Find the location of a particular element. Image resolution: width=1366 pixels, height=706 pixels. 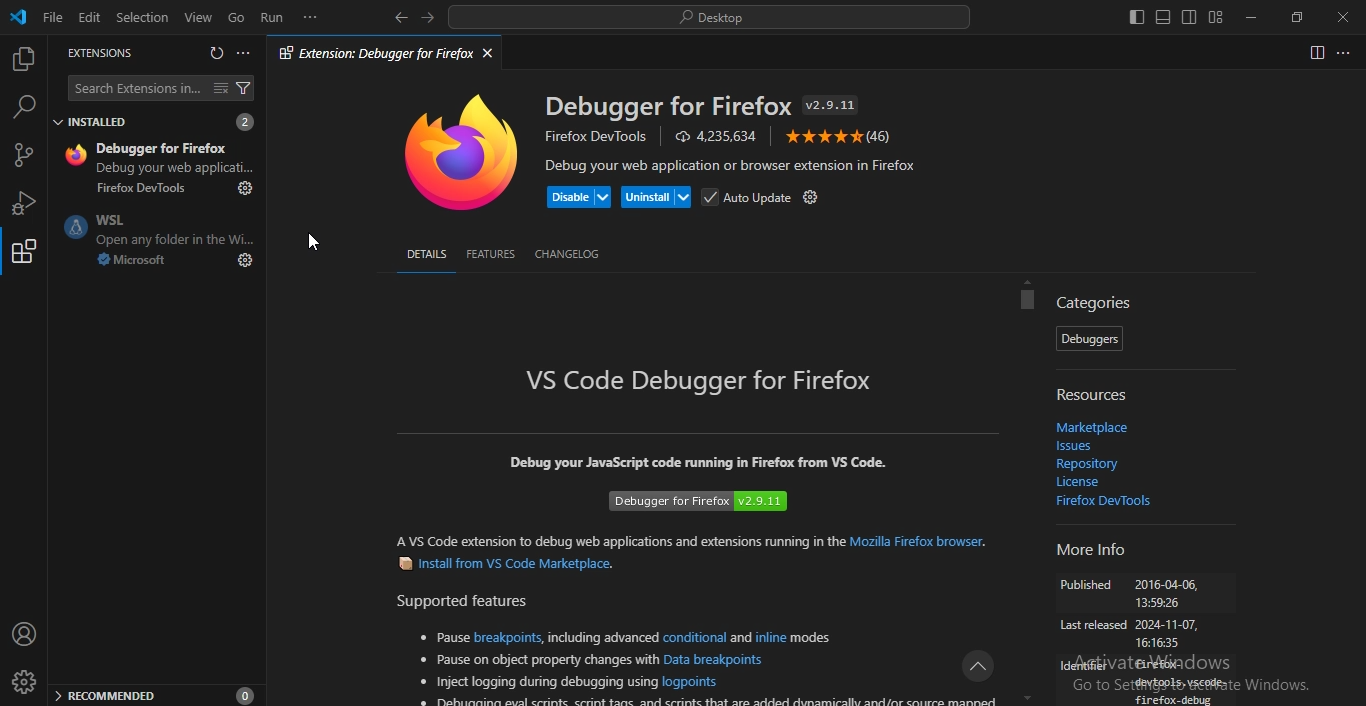

including advanced is located at coordinates (602, 637).